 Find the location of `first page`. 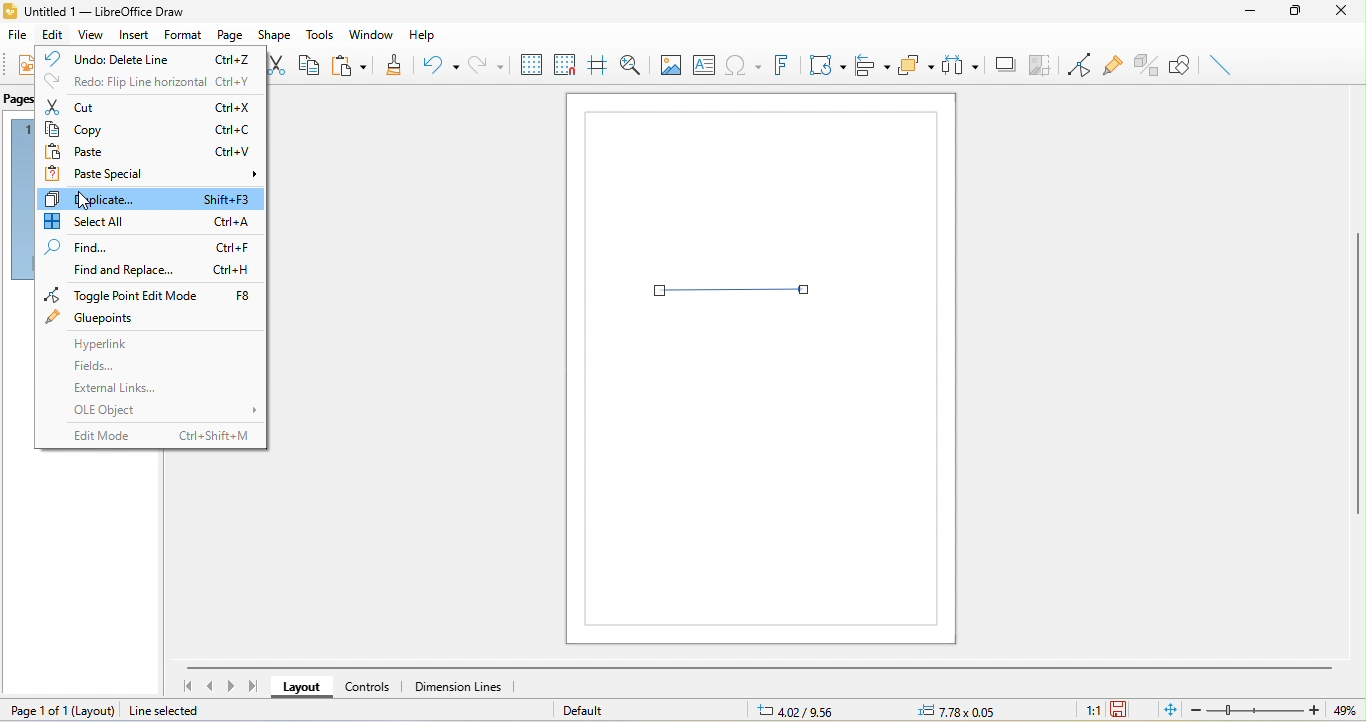

first page is located at coordinates (185, 685).